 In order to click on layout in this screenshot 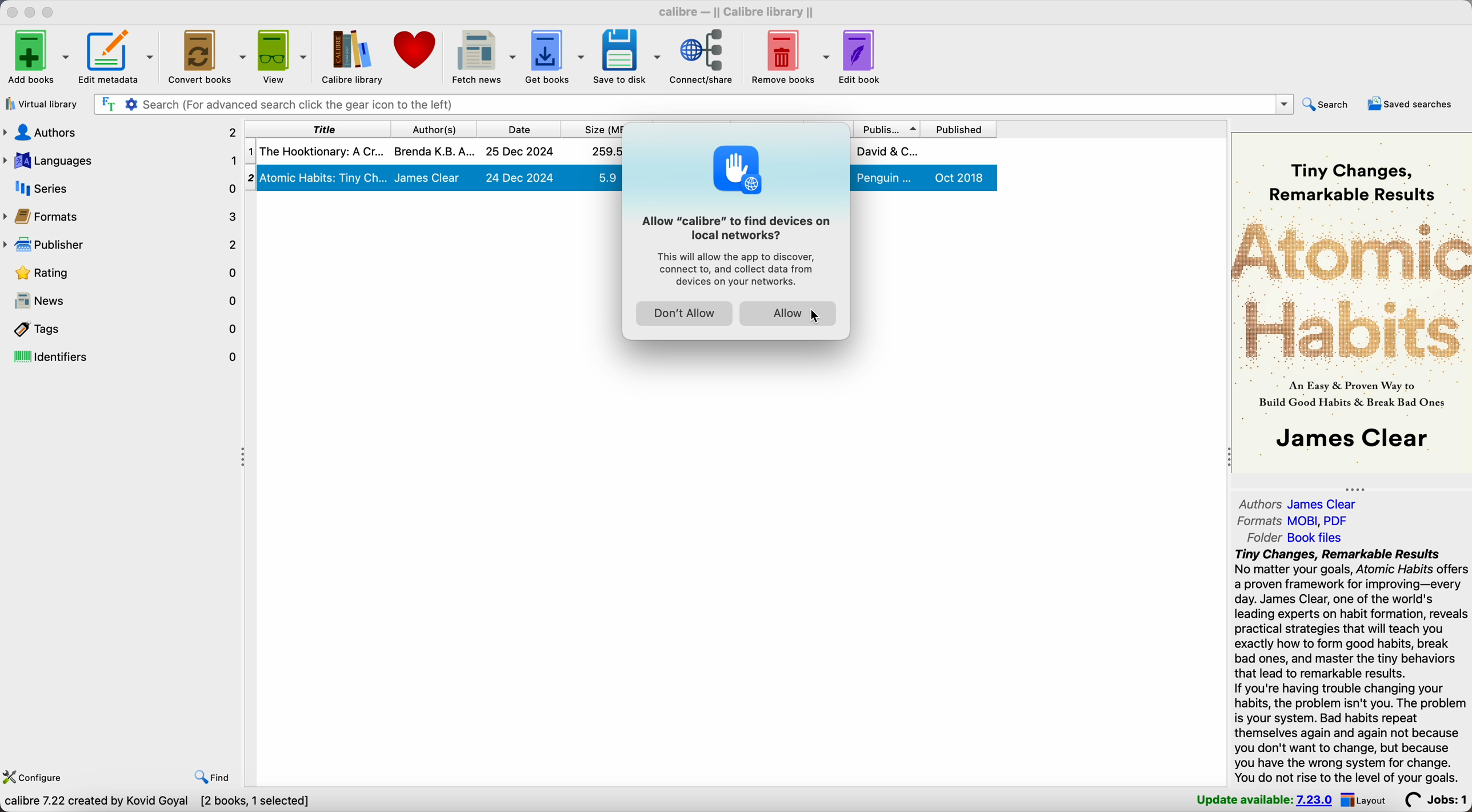, I will do `click(1363, 799)`.